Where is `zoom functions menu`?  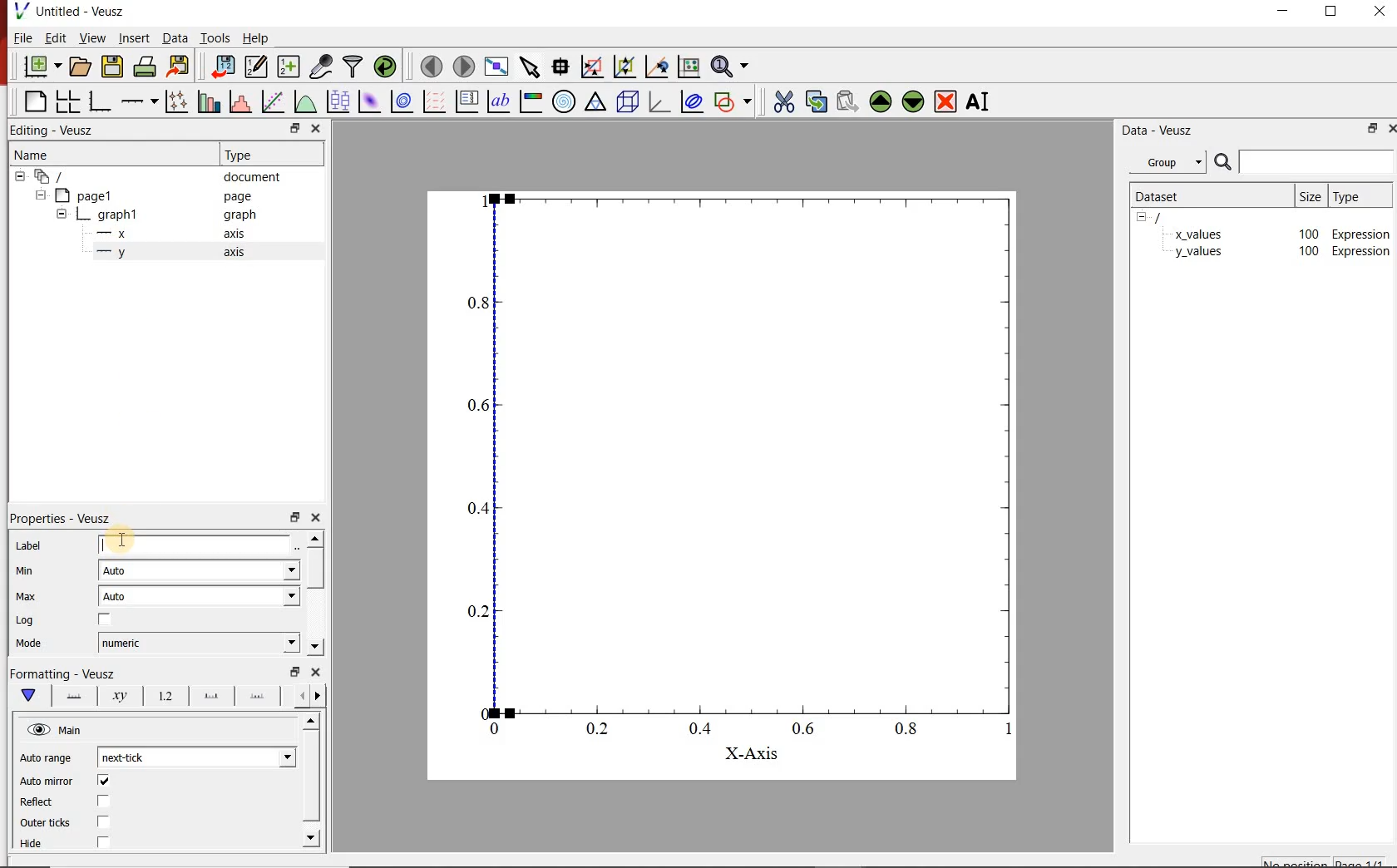
zoom functions menu is located at coordinates (730, 68).